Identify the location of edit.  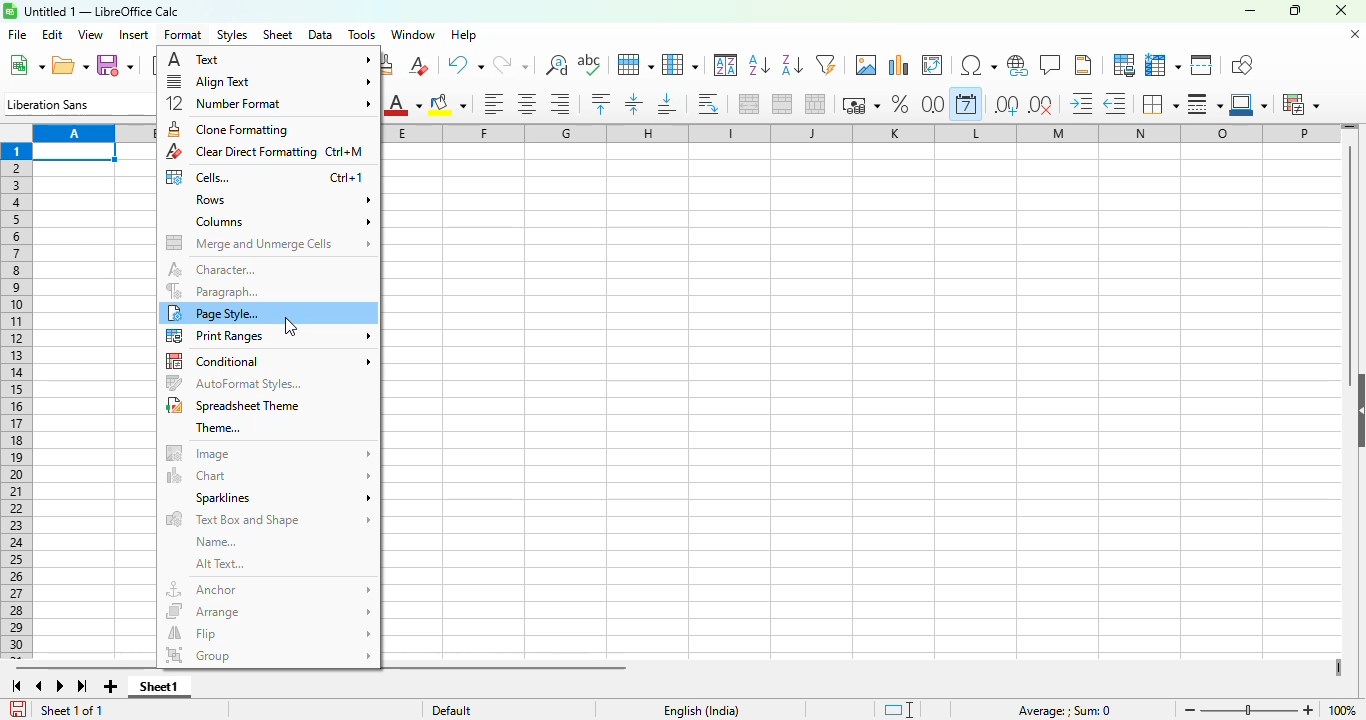
(52, 35).